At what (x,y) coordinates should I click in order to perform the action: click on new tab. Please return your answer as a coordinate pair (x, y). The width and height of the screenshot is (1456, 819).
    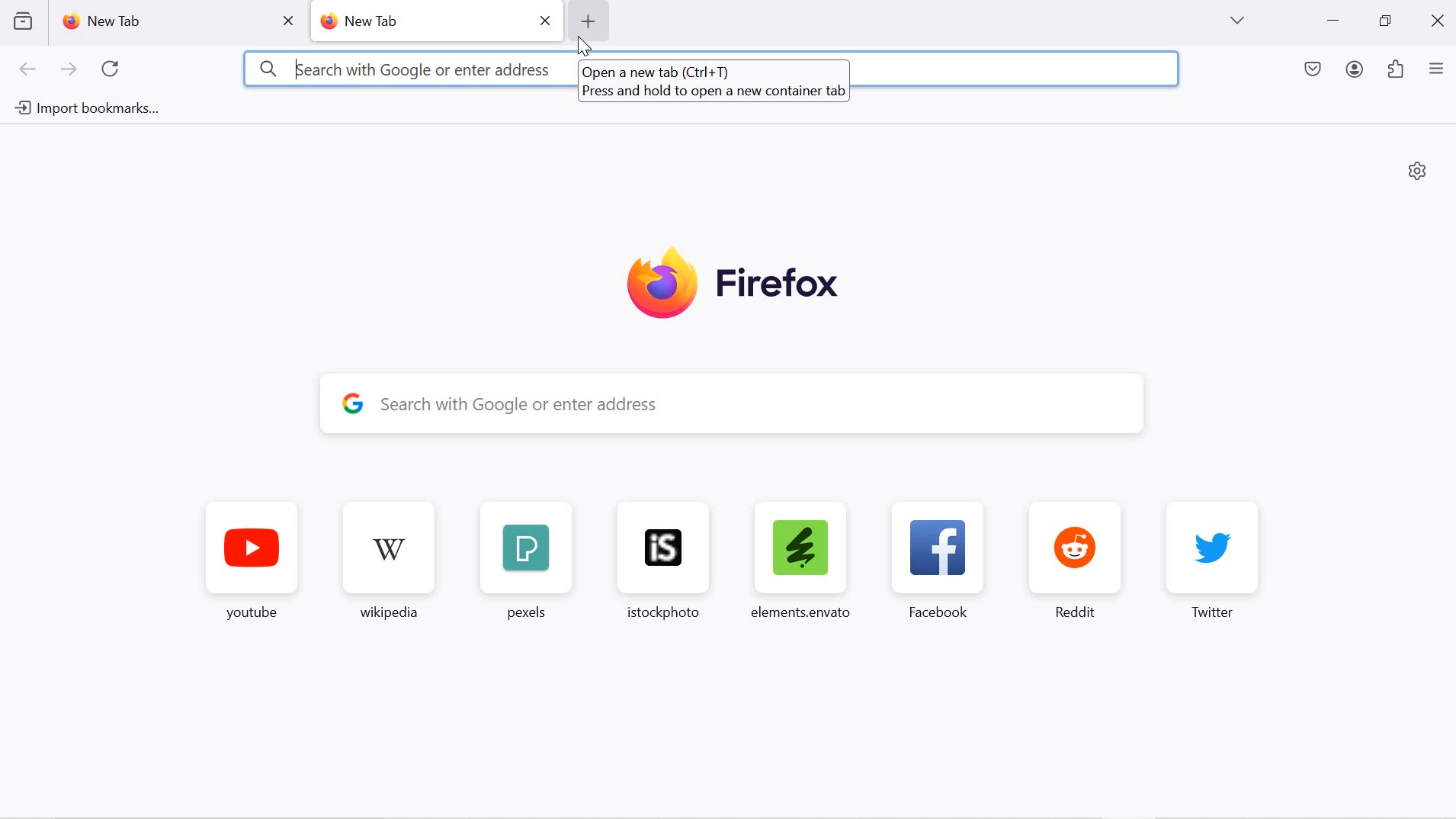
    Looking at the image, I should click on (413, 22).